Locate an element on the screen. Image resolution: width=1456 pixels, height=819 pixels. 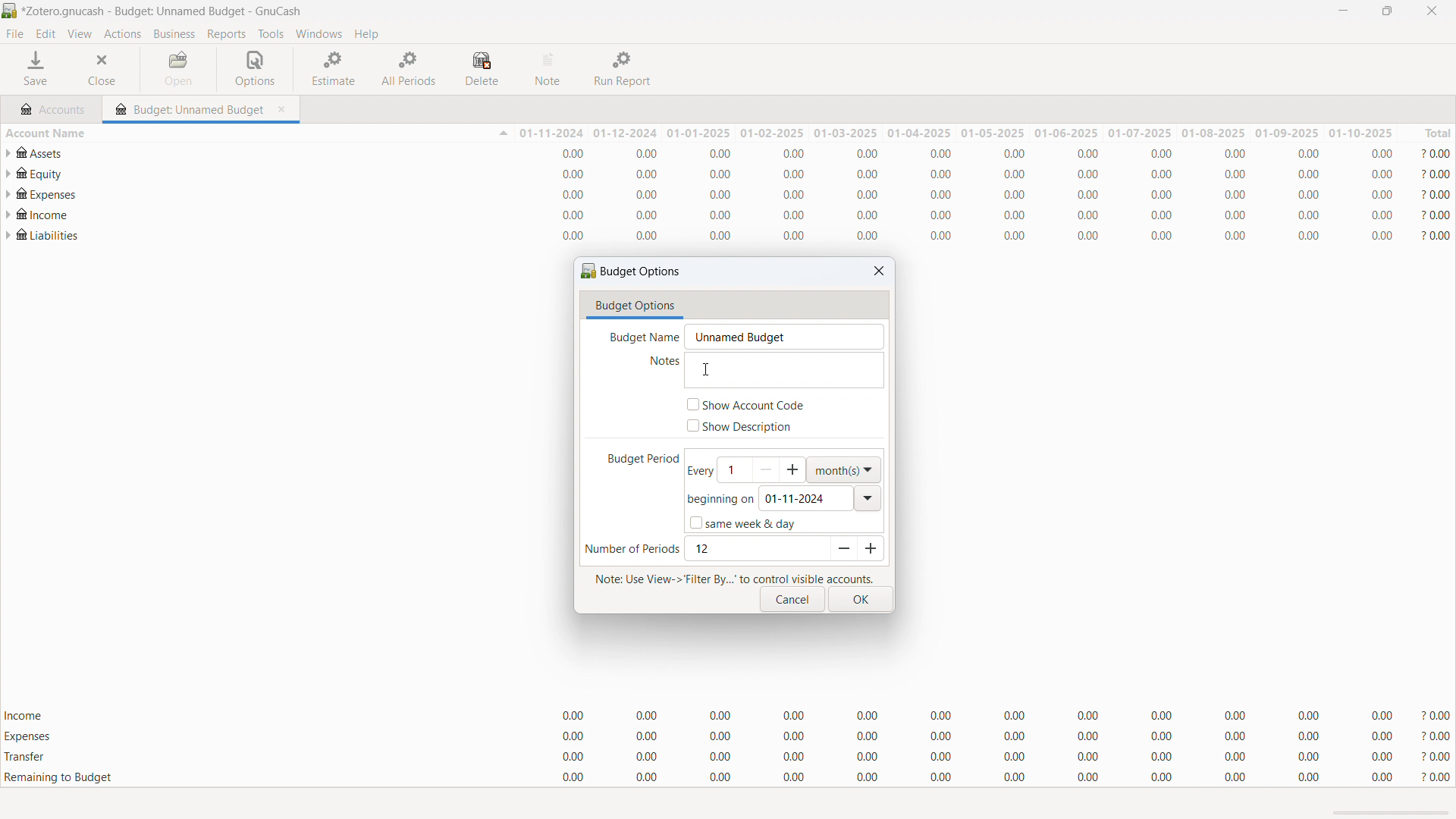
open is located at coordinates (179, 69).